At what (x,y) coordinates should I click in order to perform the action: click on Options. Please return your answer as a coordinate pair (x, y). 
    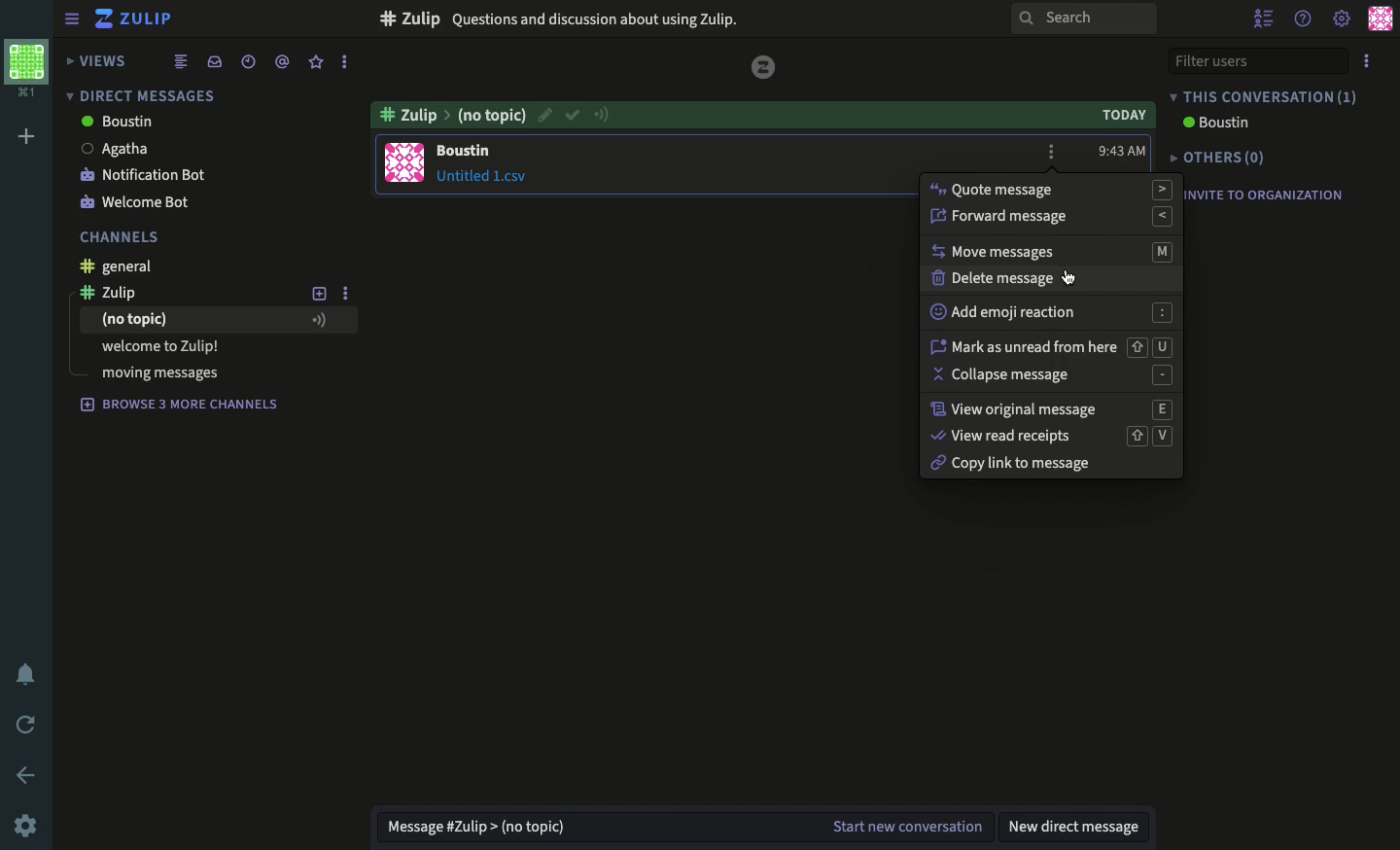
    Looking at the image, I should click on (1052, 150).